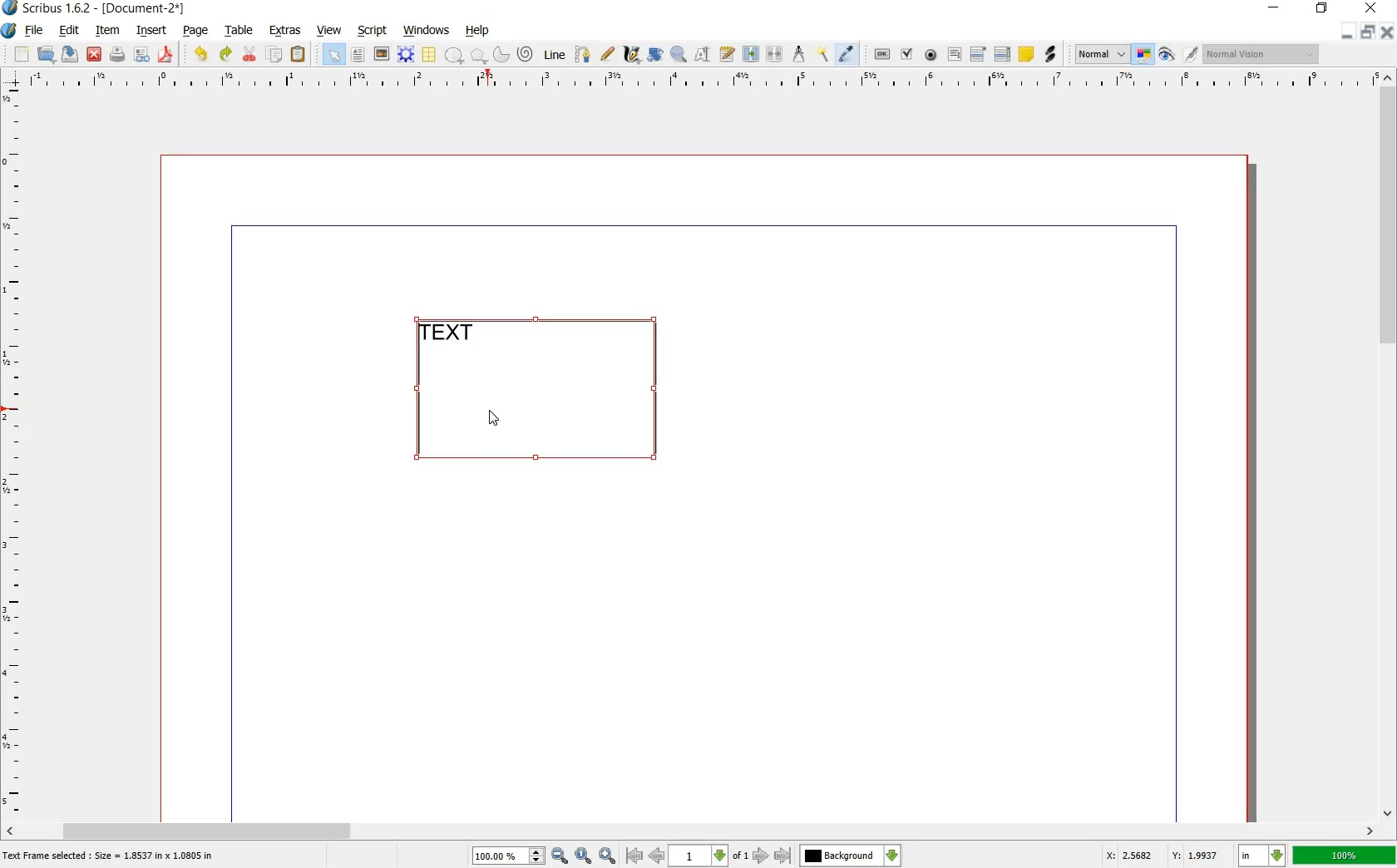  Describe the element at coordinates (739, 857) in the screenshot. I see `of 1` at that location.